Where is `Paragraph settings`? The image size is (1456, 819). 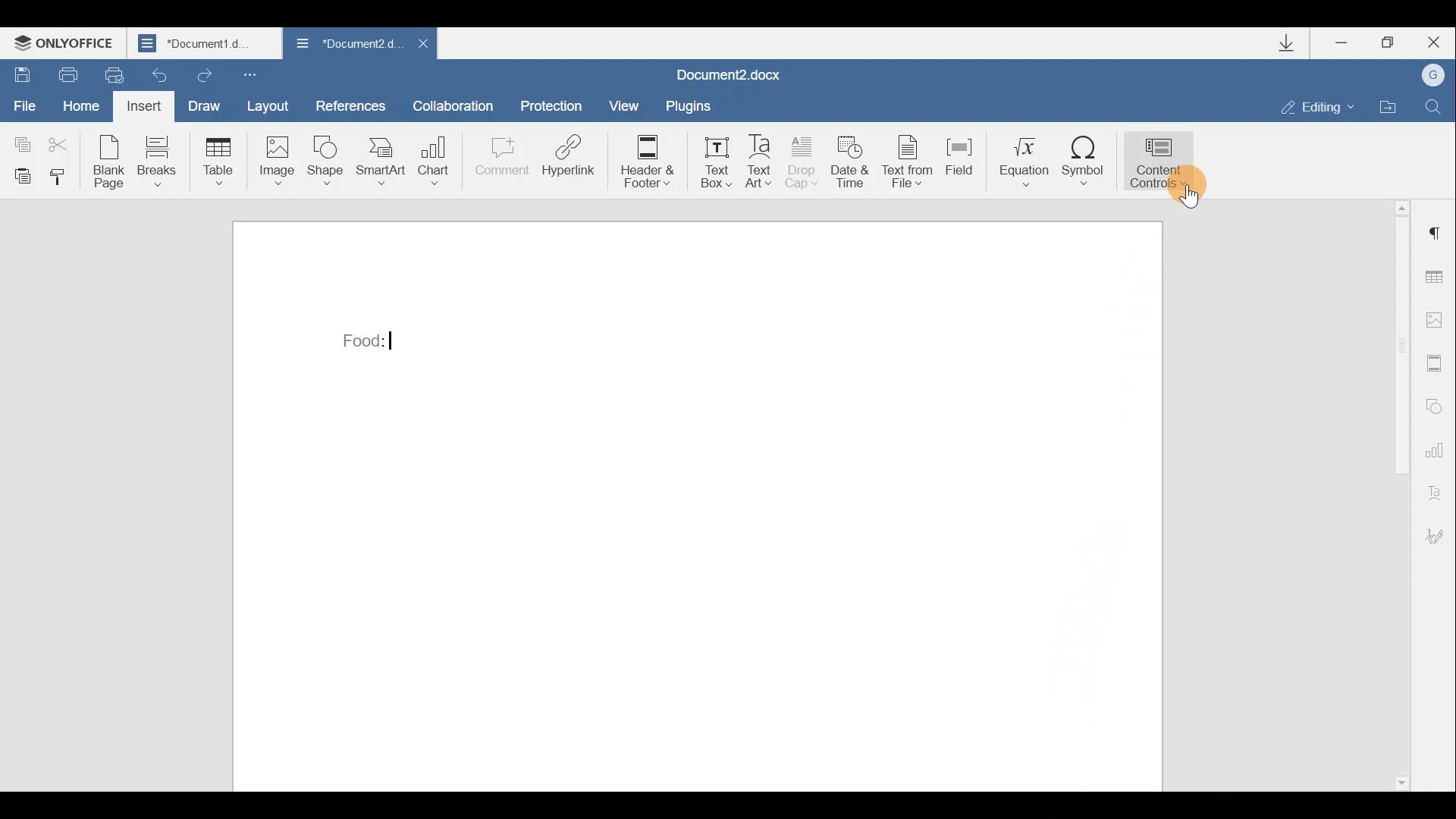 Paragraph settings is located at coordinates (1436, 234).